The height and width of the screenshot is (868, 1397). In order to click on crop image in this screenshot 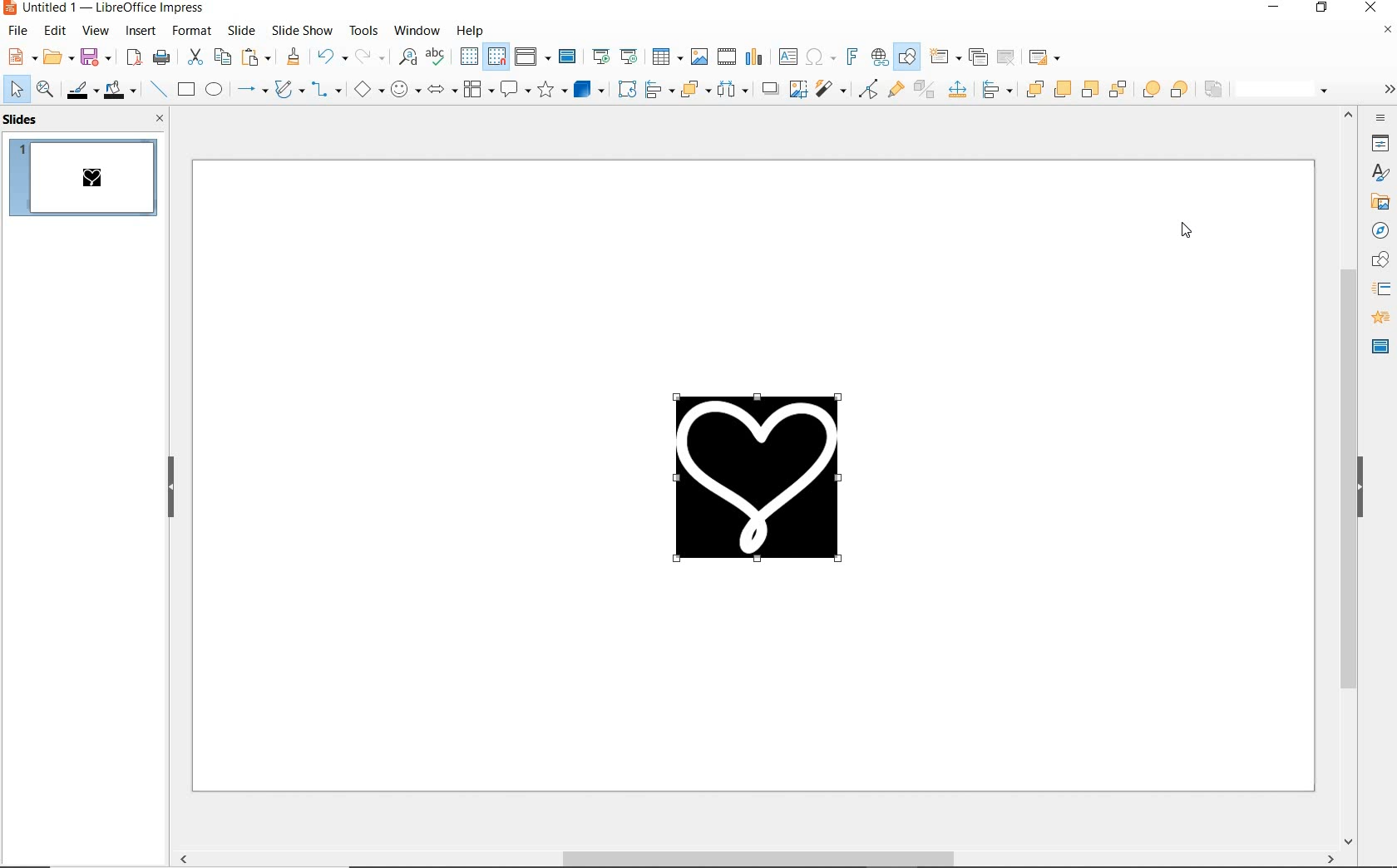, I will do `click(1375, 172)`.